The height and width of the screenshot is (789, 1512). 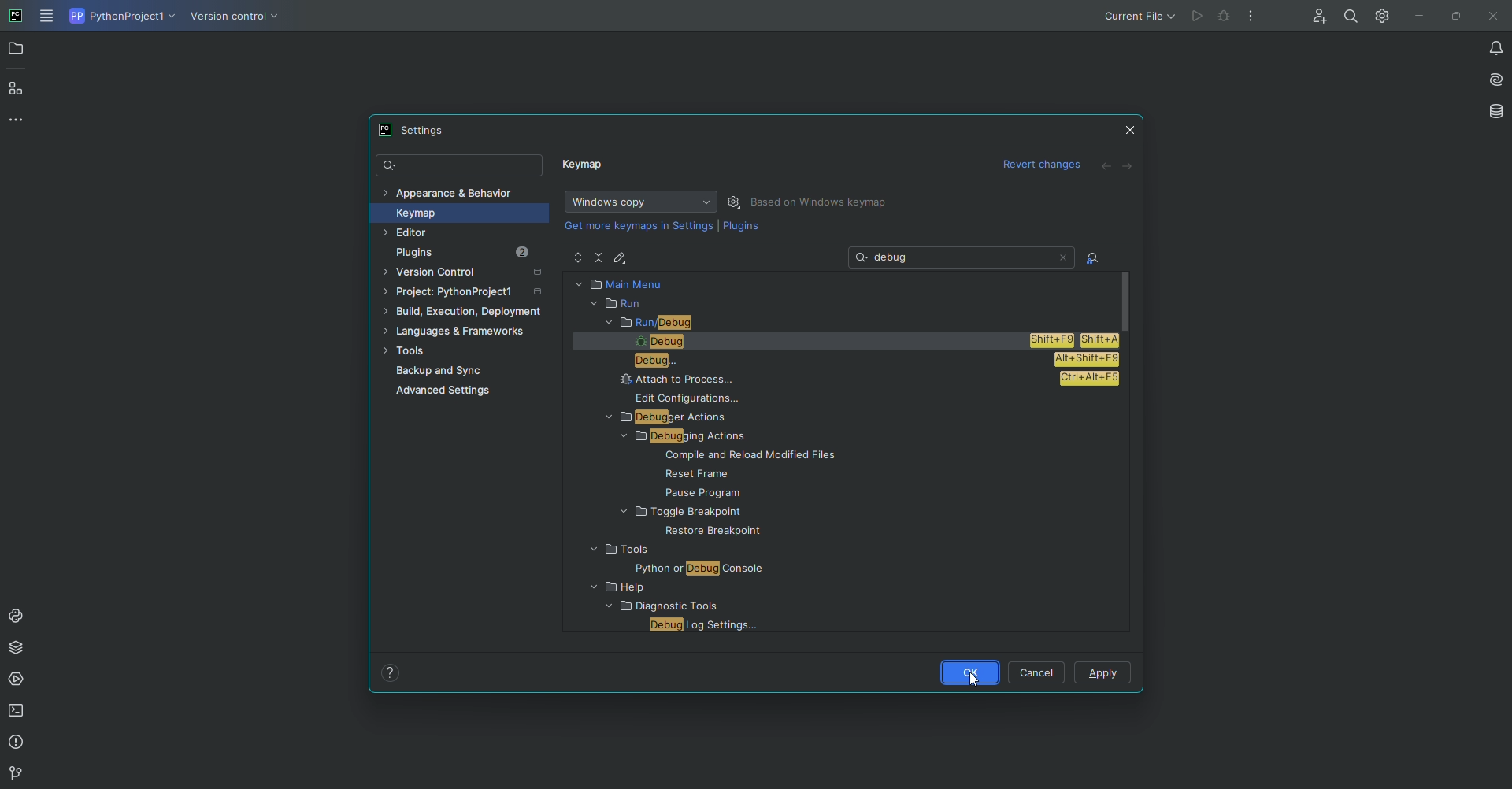 What do you see at coordinates (474, 253) in the screenshot?
I see `Plugins` at bounding box center [474, 253].